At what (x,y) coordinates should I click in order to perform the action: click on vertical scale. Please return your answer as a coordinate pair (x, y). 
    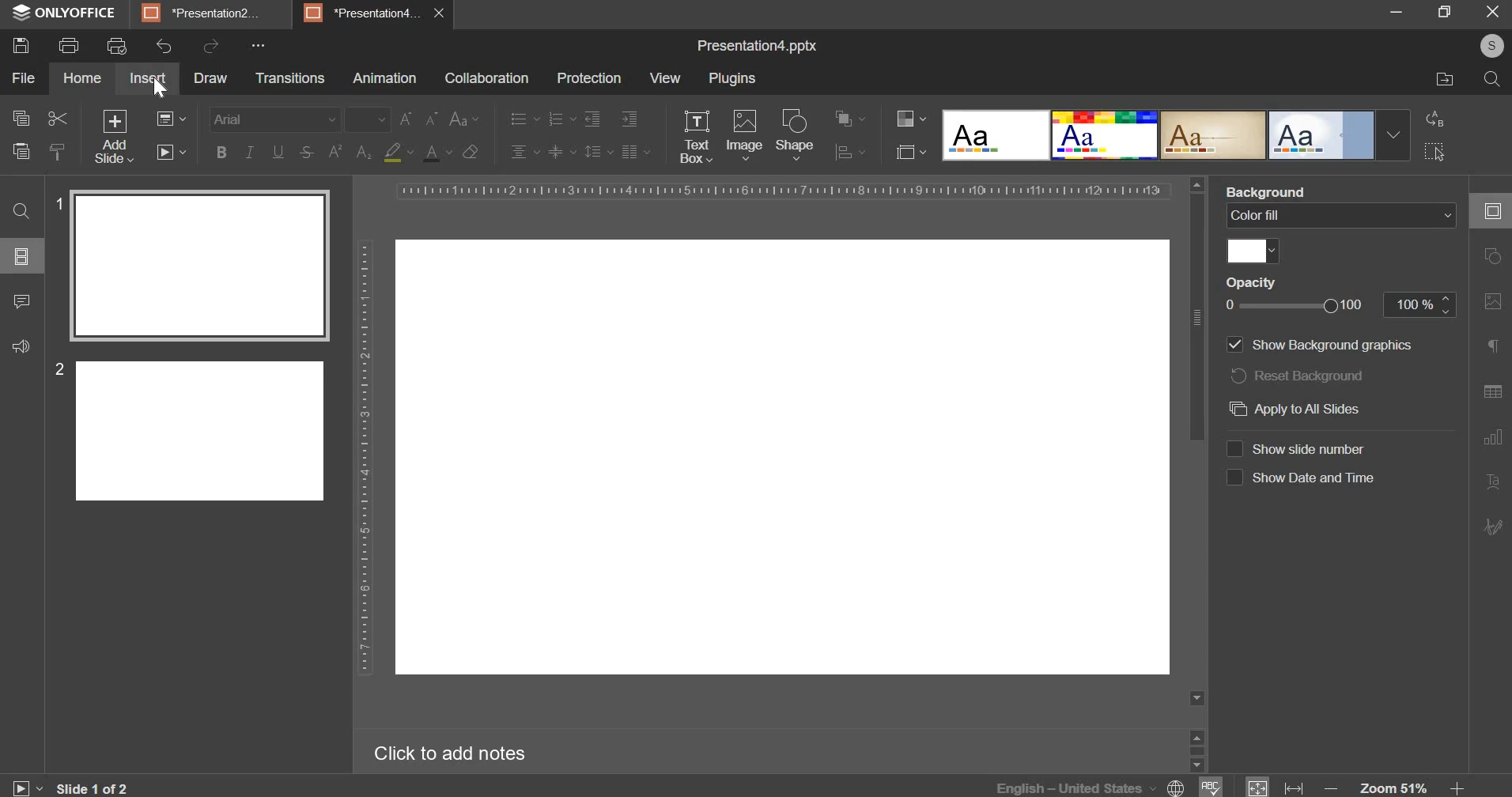
    Looking at the image, I should click on (360, 459).